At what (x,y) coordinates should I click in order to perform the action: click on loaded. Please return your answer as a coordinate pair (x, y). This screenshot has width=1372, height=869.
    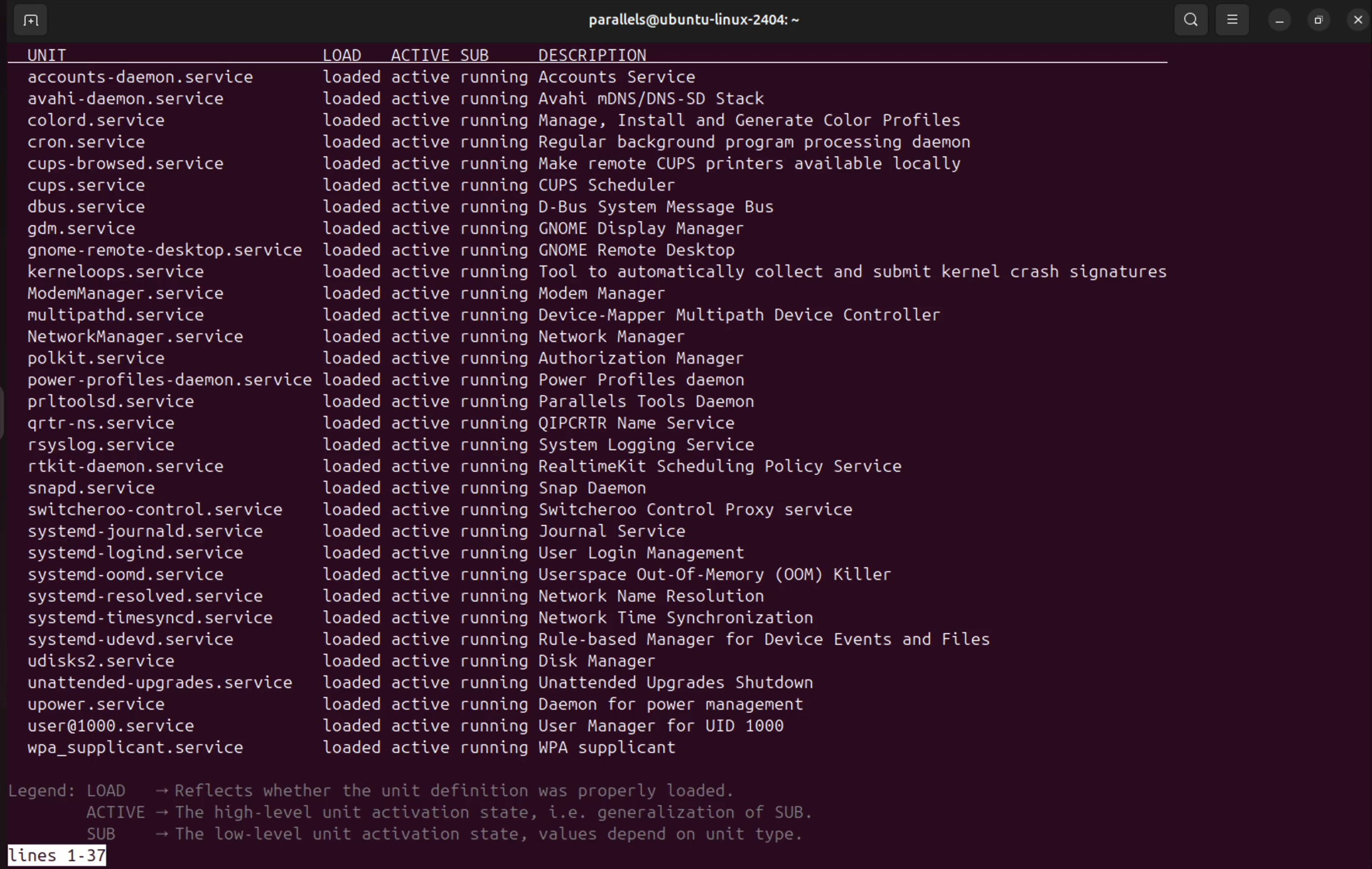
    Looking at the image, I should click on (354, 663).